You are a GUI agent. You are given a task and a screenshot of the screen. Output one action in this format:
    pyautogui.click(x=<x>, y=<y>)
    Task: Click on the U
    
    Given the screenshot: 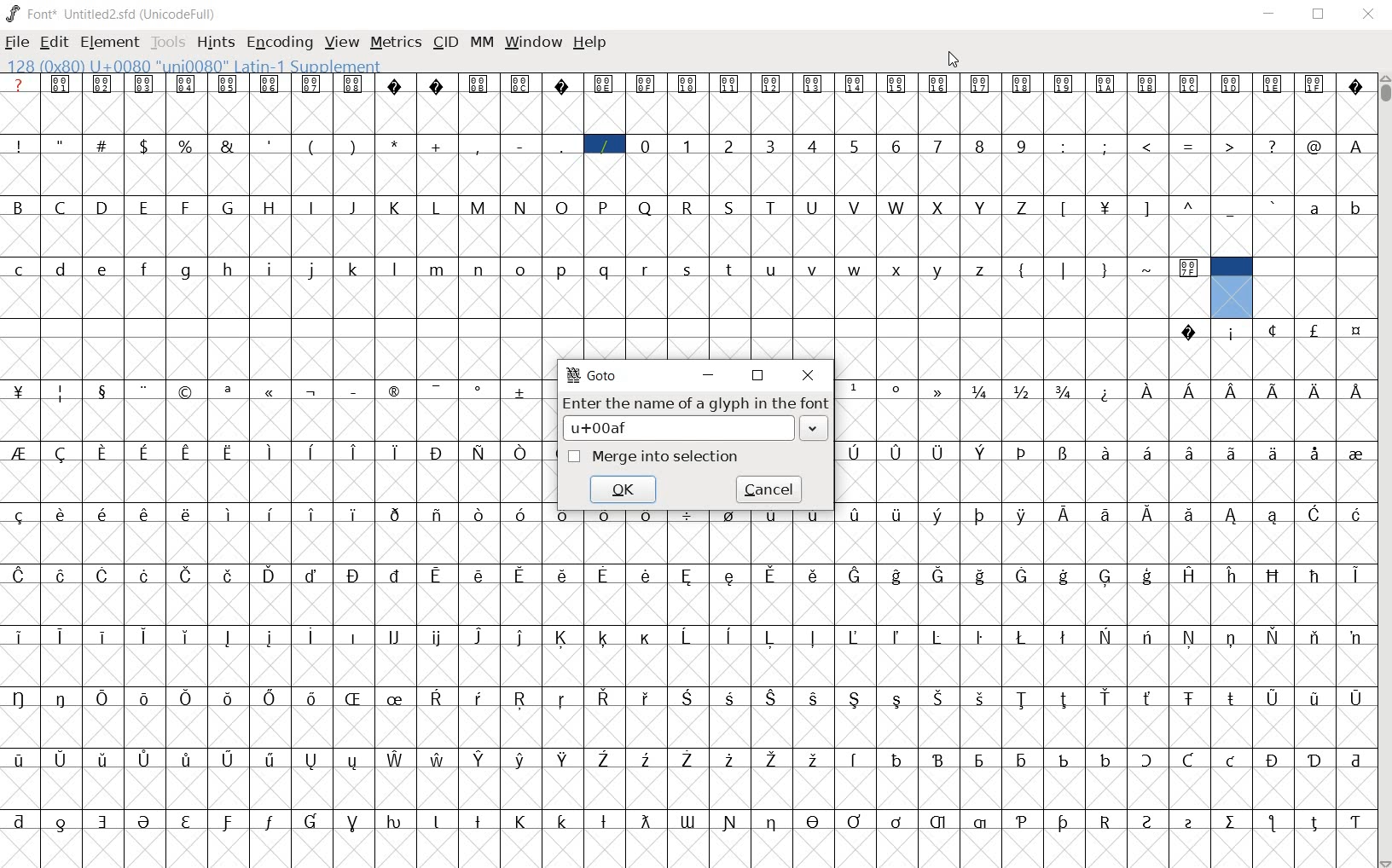 What is the action you would take?
    pyautogui.click(x=815, y=207)
    